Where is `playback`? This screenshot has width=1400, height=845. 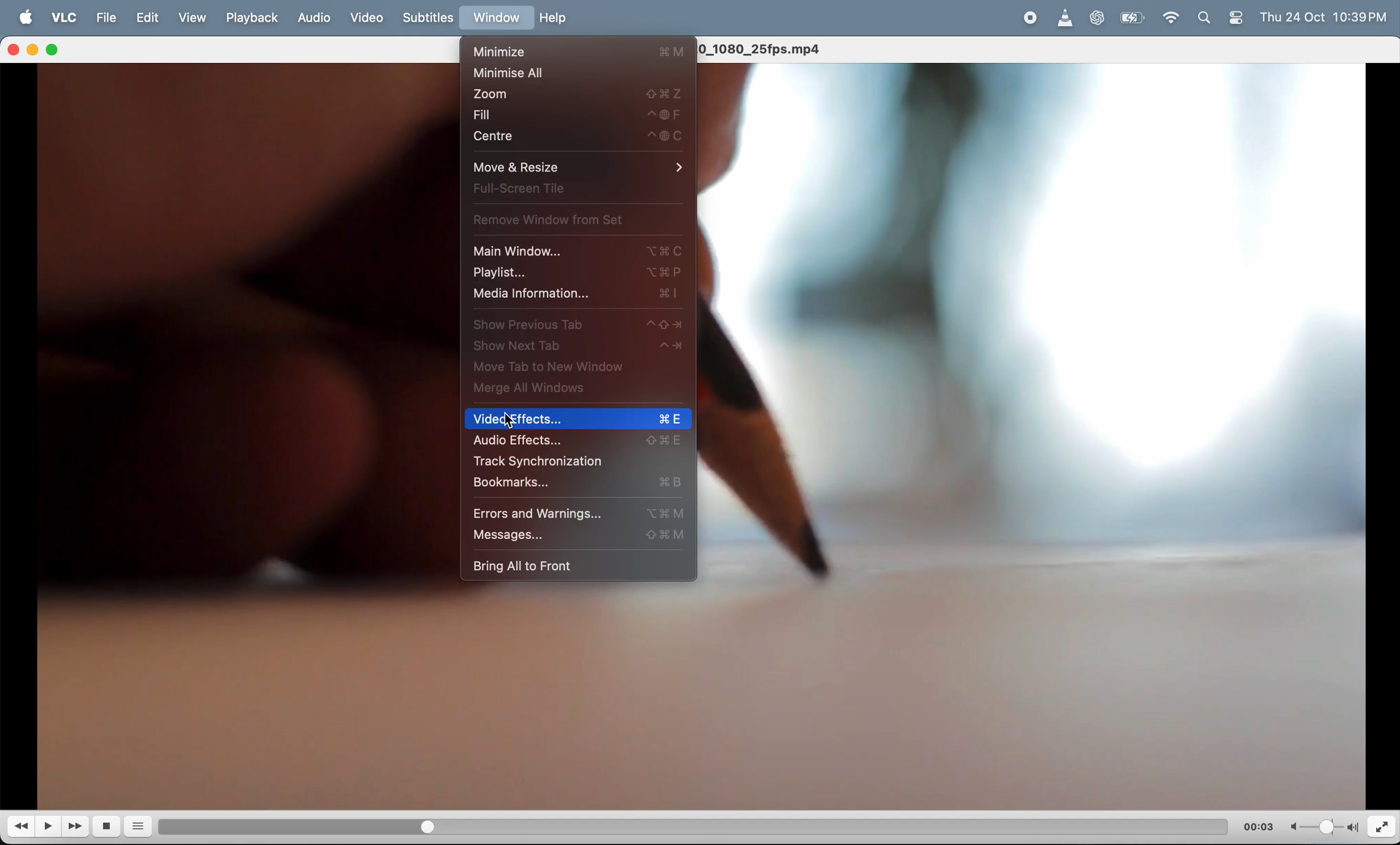
playback is located at coordinates (253, 17).